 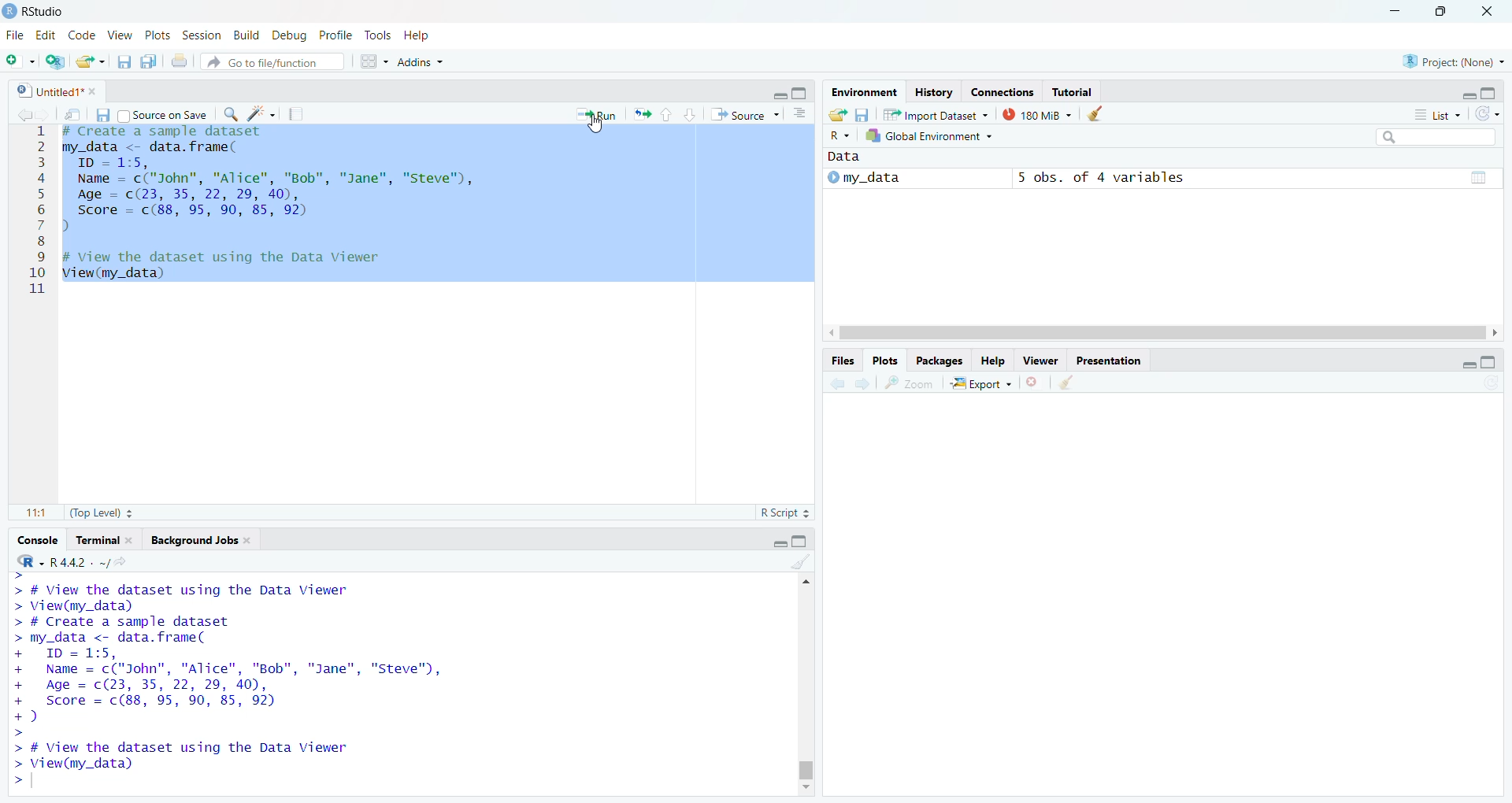 I want to click on minimize, so click(x=1466, y=97).